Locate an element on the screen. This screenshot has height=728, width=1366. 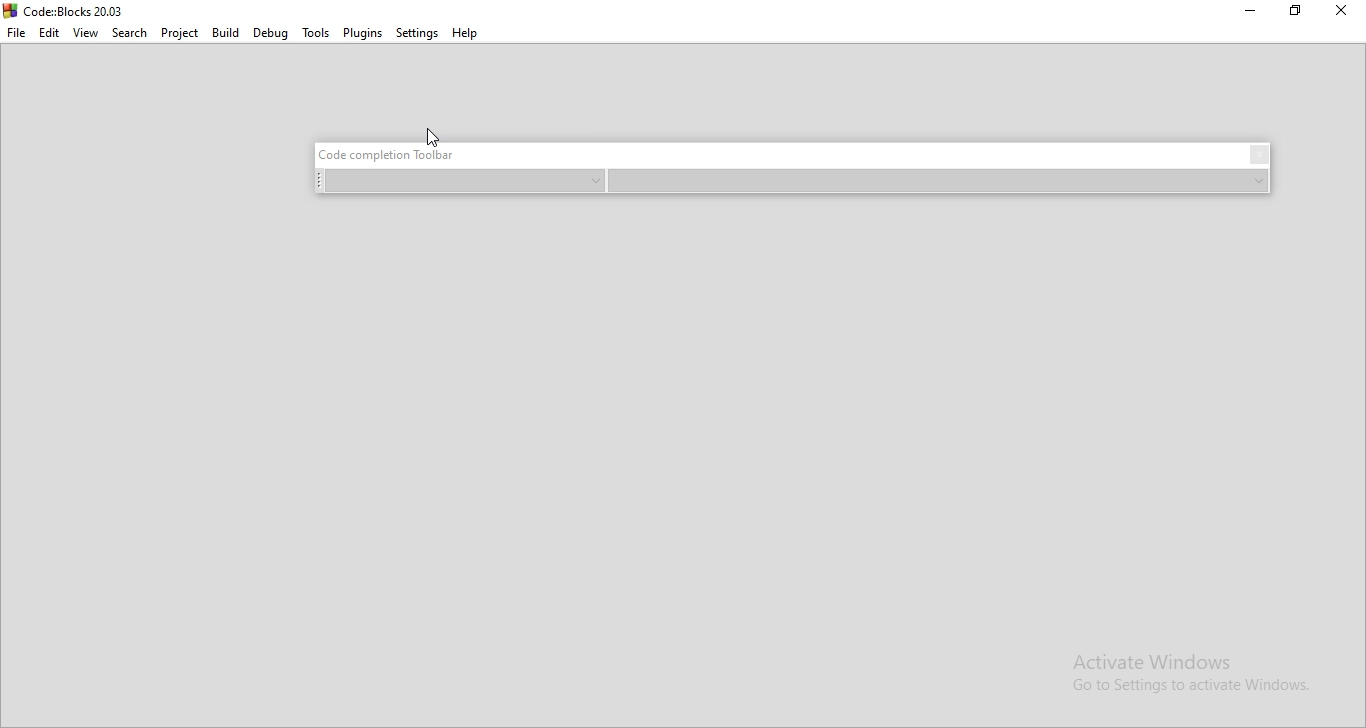
Help is located at coordinates (468, 34).